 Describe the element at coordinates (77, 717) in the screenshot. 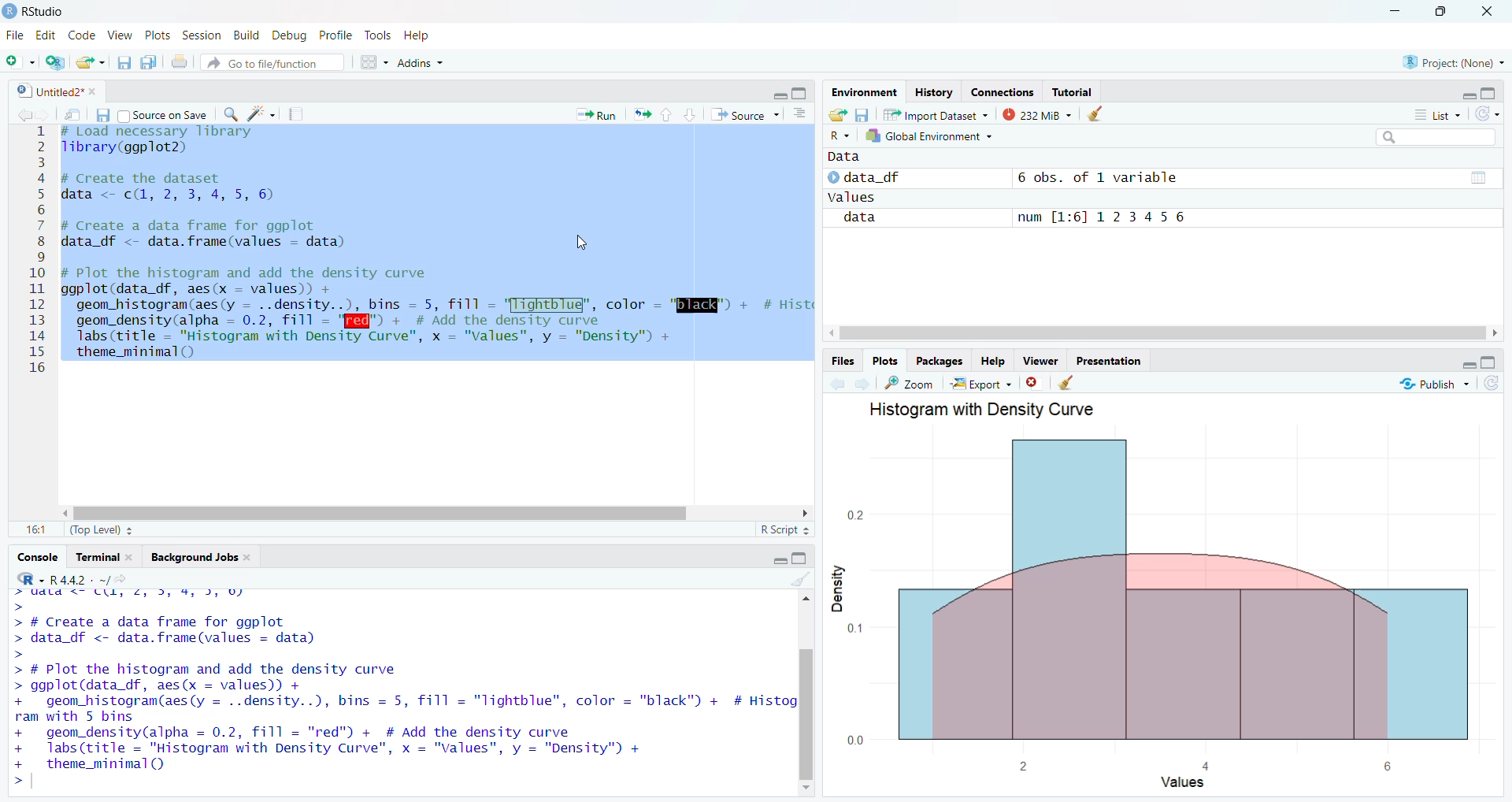

I see `ram with 5 bins` at that location.